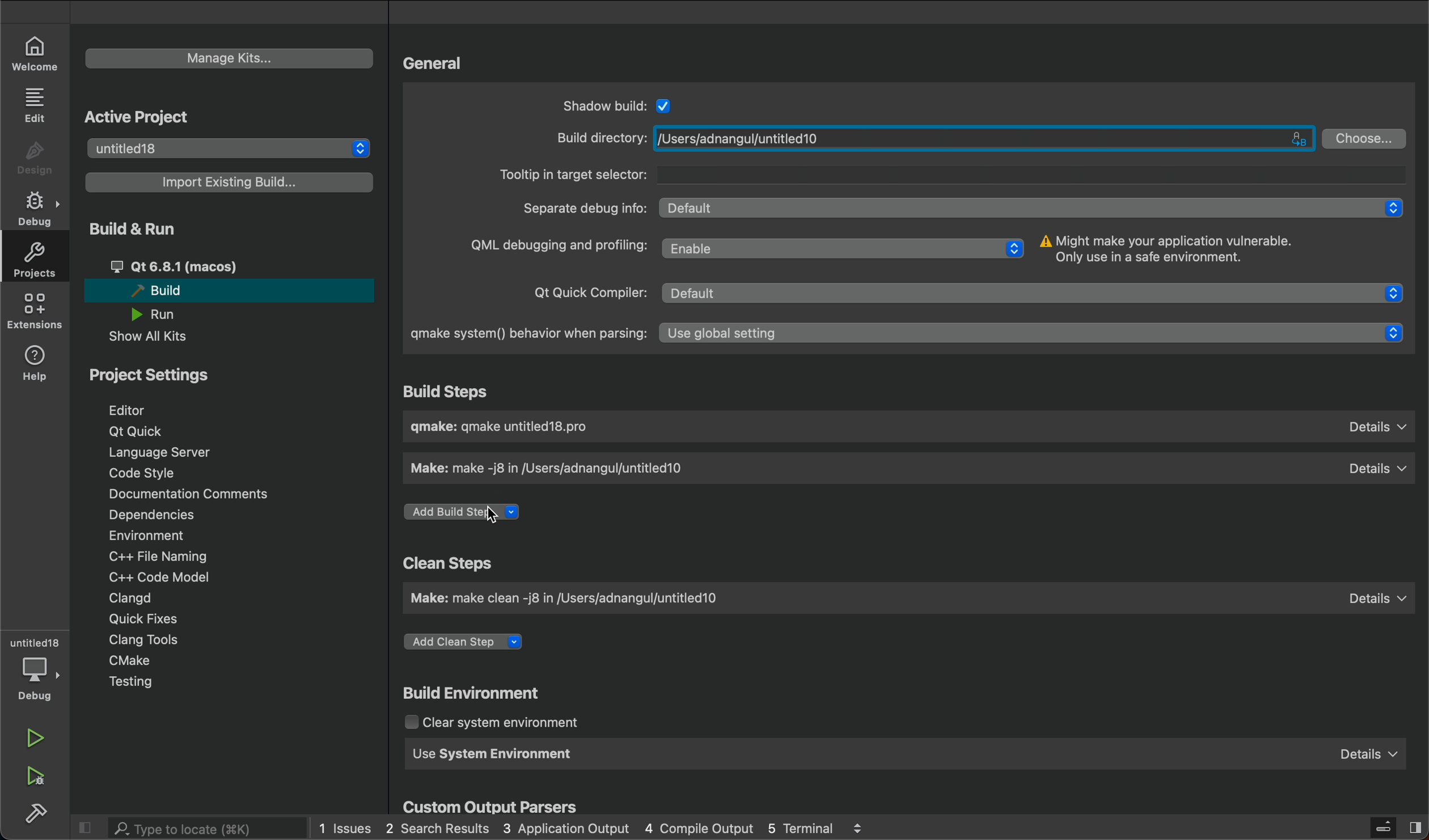 The width and height of the screenshot is (1429, 840). What do you see at coordinates (41, 816) in the screenshot?
I see `build` at bounding box center [41, 816].